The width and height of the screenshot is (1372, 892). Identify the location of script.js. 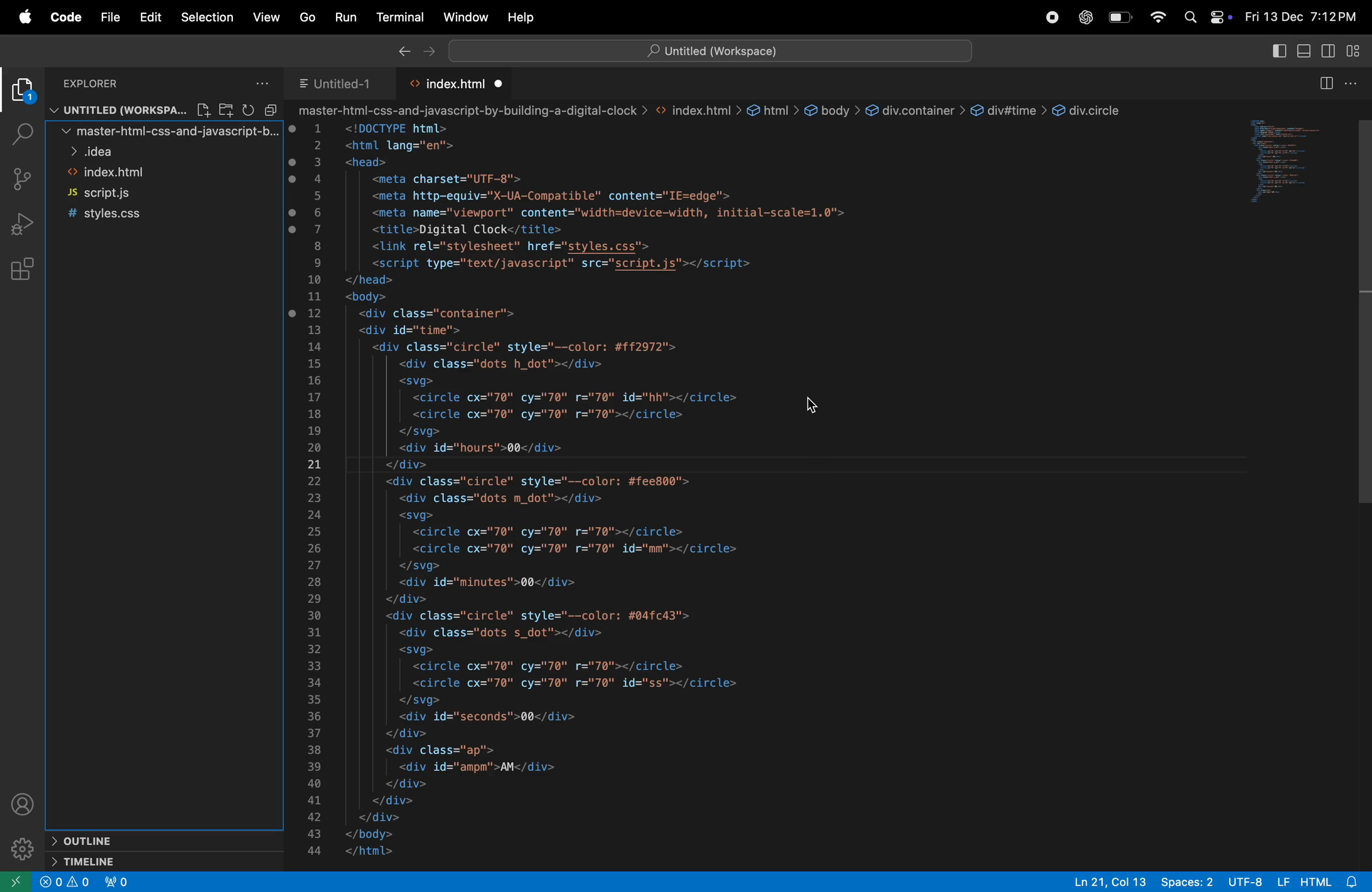
(153, 194).